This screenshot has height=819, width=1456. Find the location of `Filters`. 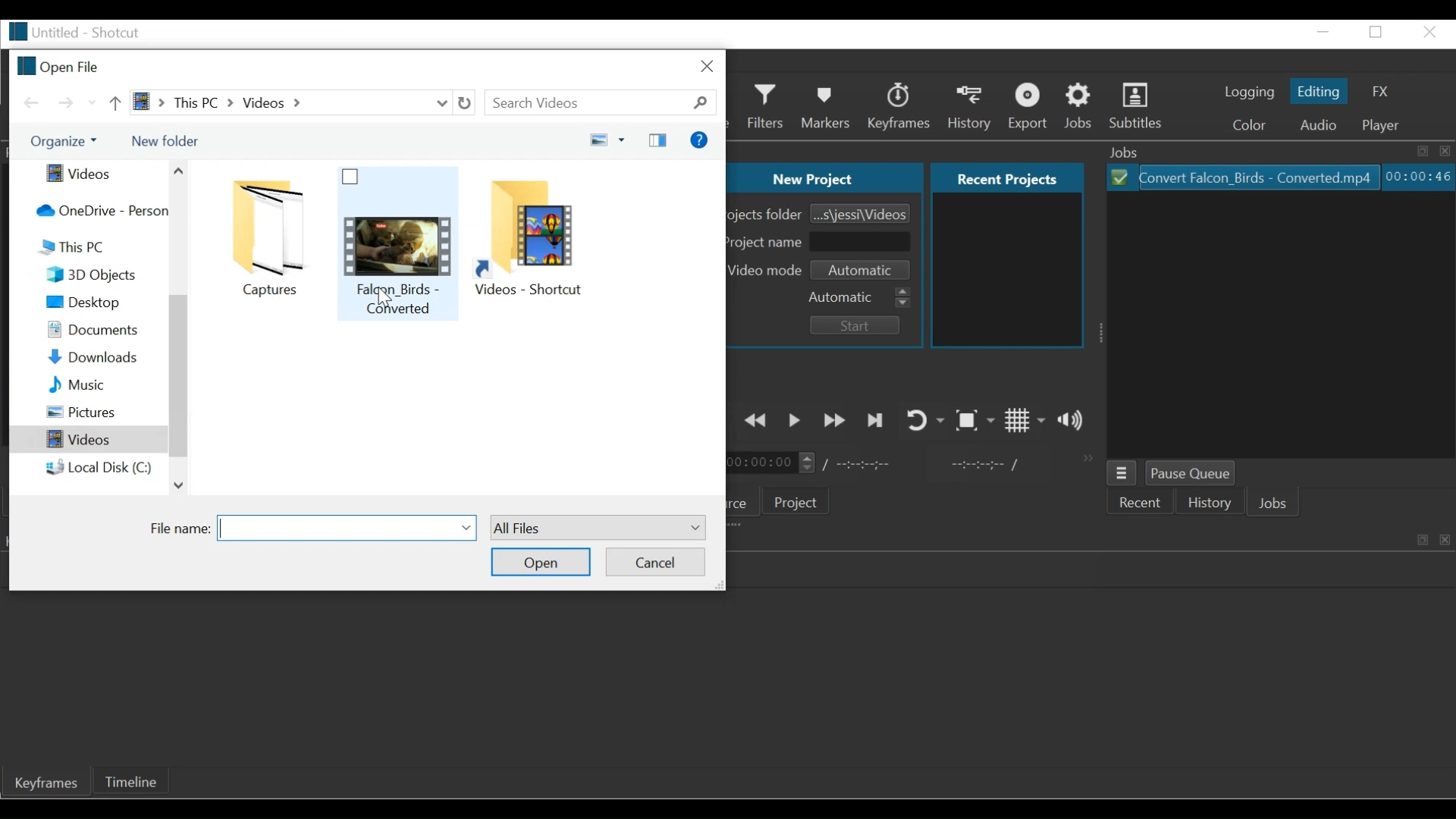

Filters is located at coordinates (767, 106).